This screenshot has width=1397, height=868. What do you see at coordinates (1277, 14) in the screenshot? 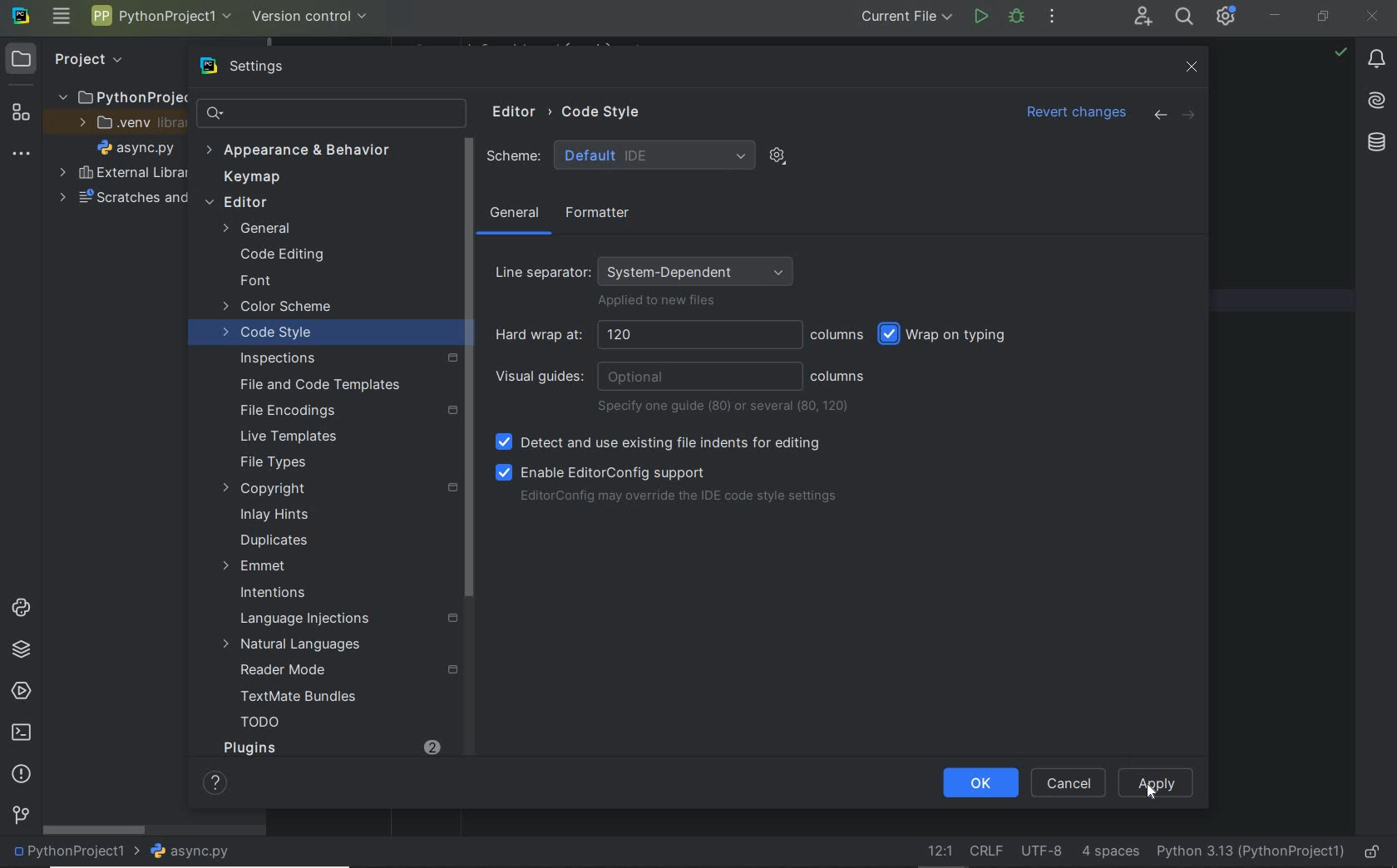
I see `MINIMIZE` at bounding box center [1277, 14].